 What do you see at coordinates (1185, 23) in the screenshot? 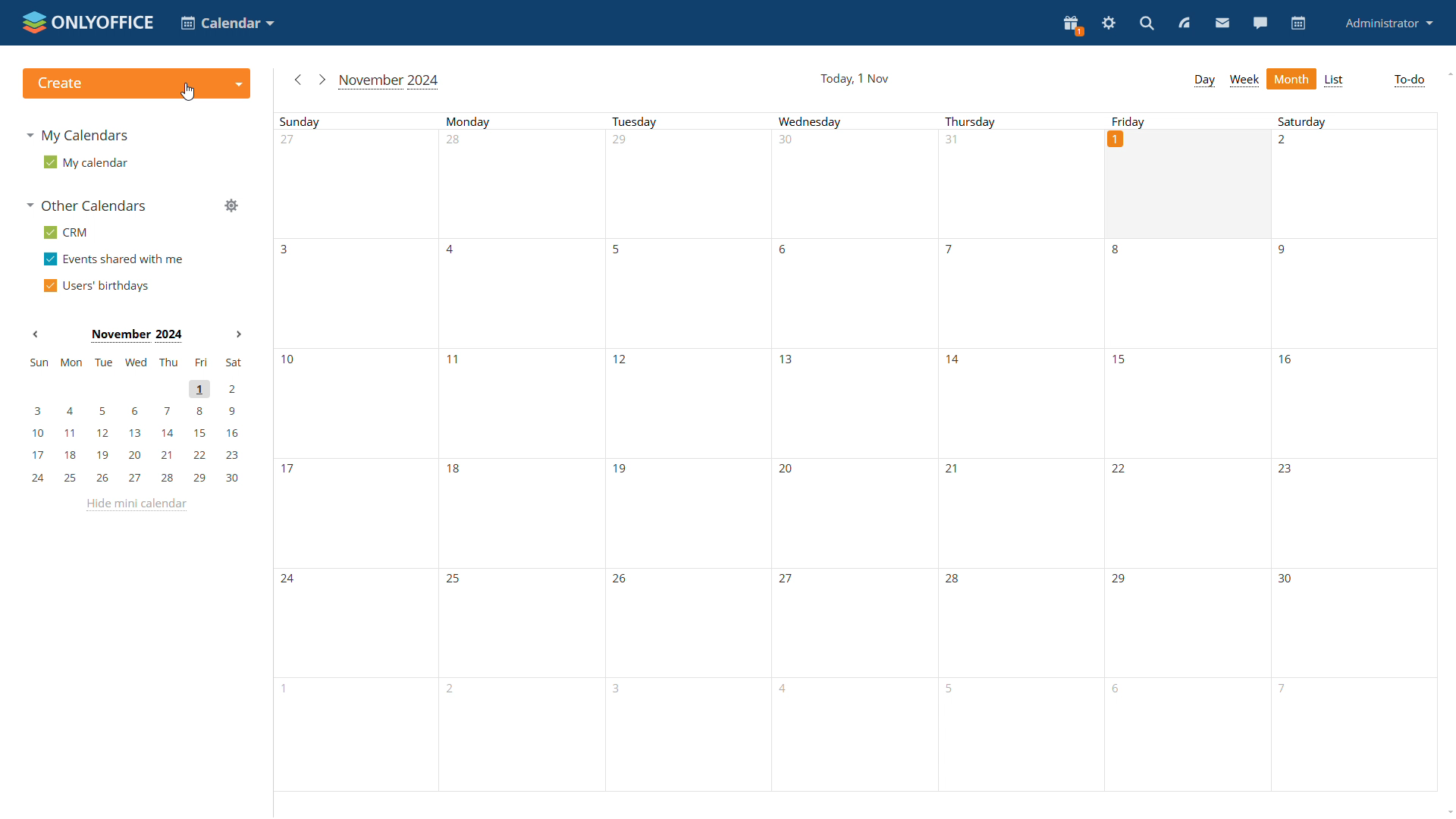
I see `view` at bounding box center [1185, 23].